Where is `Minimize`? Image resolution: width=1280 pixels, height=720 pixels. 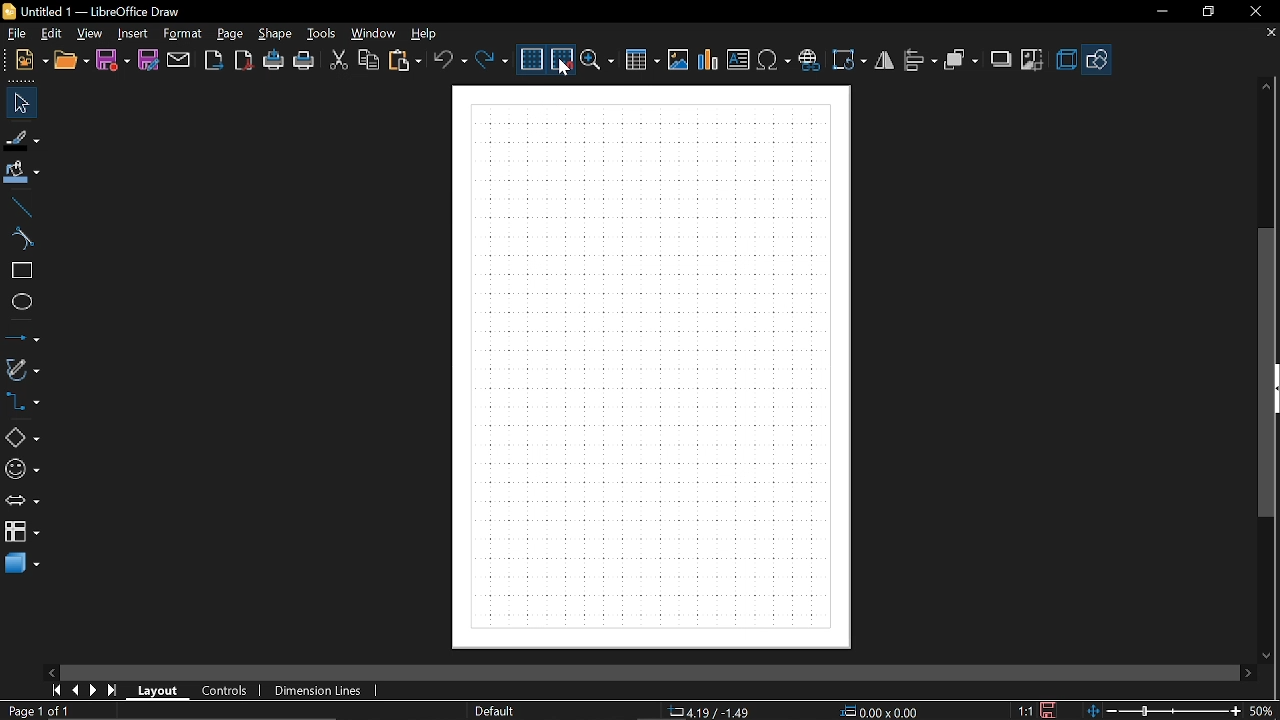
Minimize is located at coordinates (1162, 13).